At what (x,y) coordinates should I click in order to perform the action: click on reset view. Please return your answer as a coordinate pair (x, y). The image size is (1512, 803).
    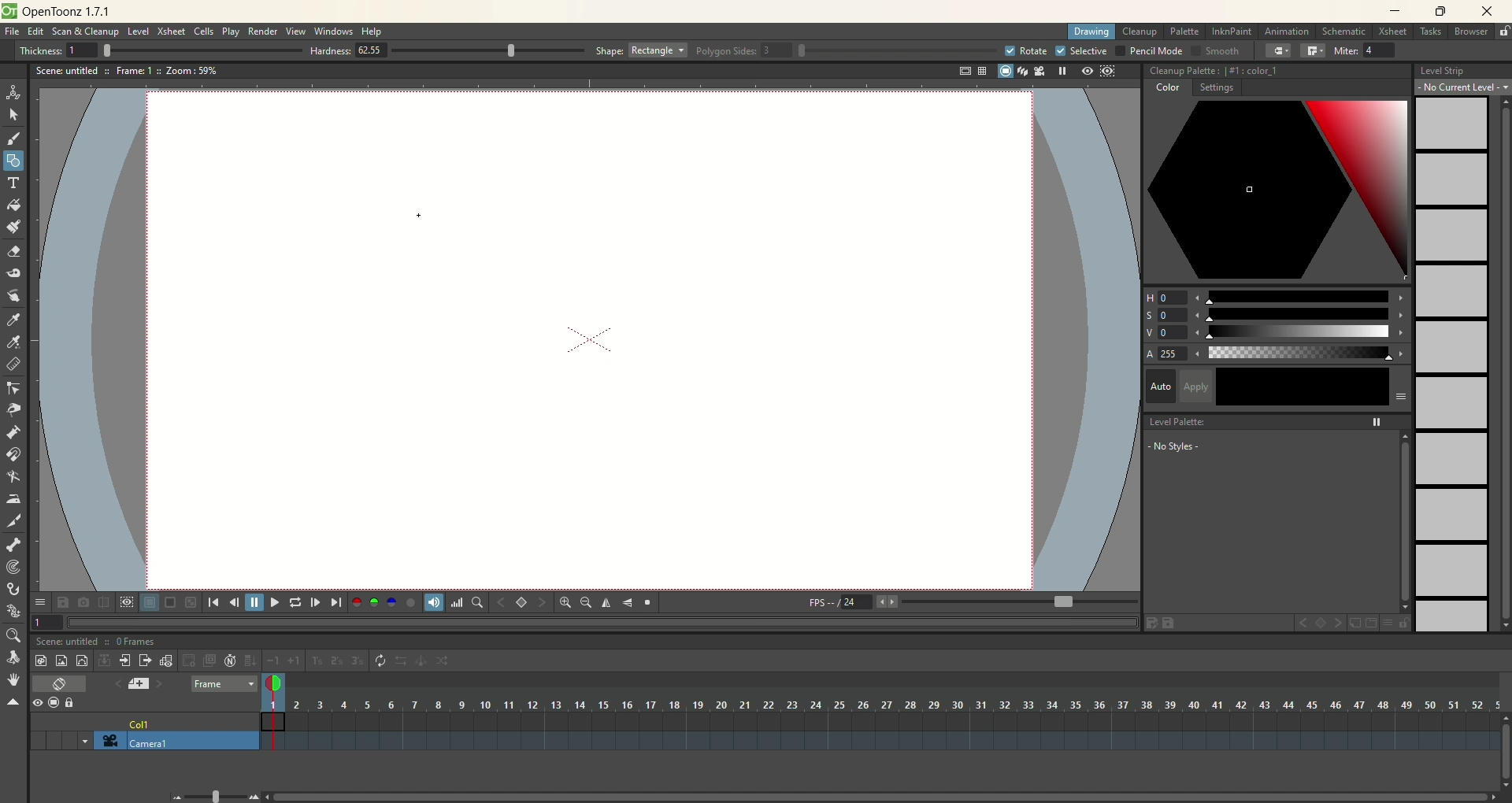
    Looking at the image, I should click on (649, 603).